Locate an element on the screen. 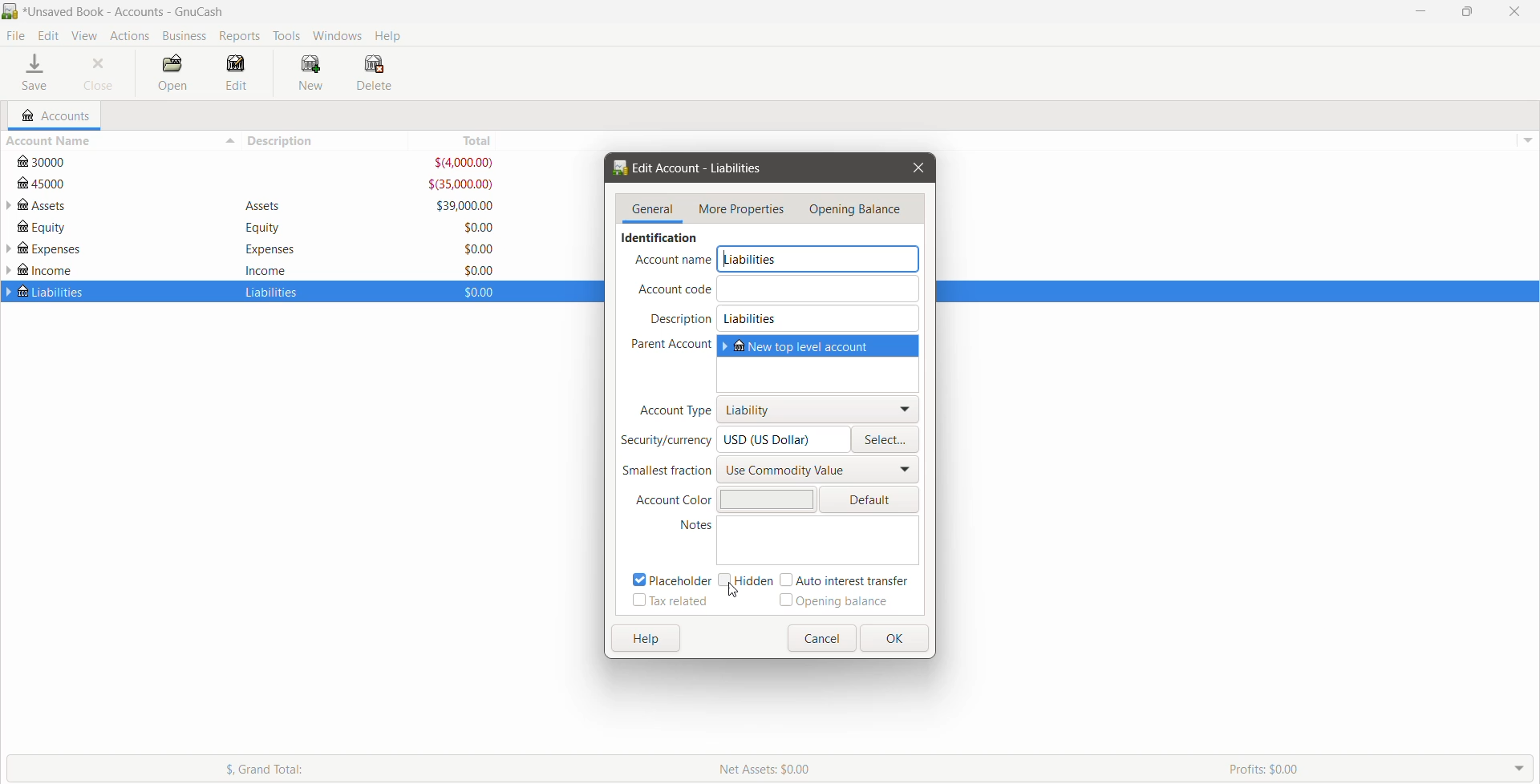 This screenshot has width=1540, height=784. General is located at coordinates (654, 209).